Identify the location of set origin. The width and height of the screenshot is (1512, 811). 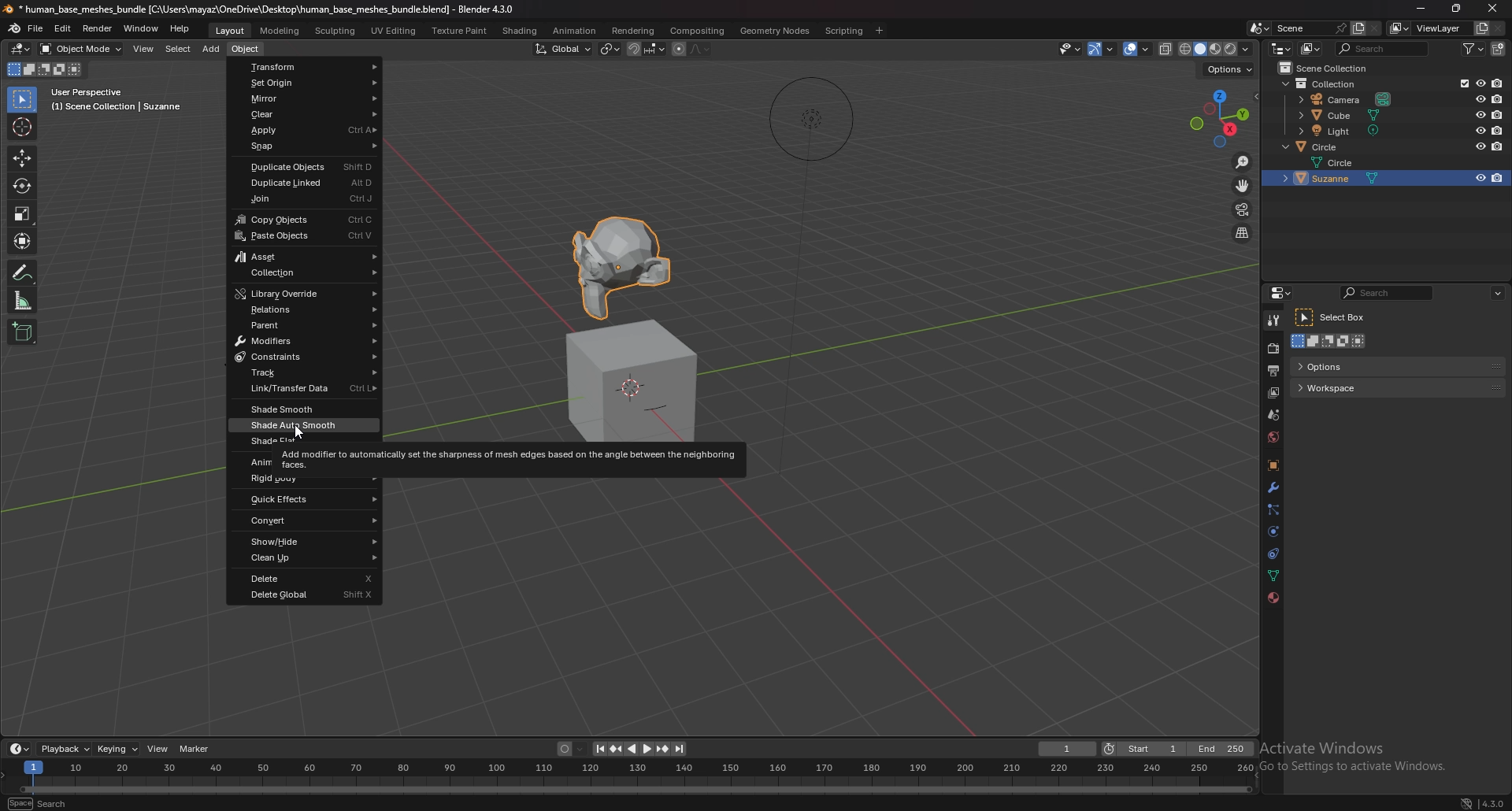
(306, 82).